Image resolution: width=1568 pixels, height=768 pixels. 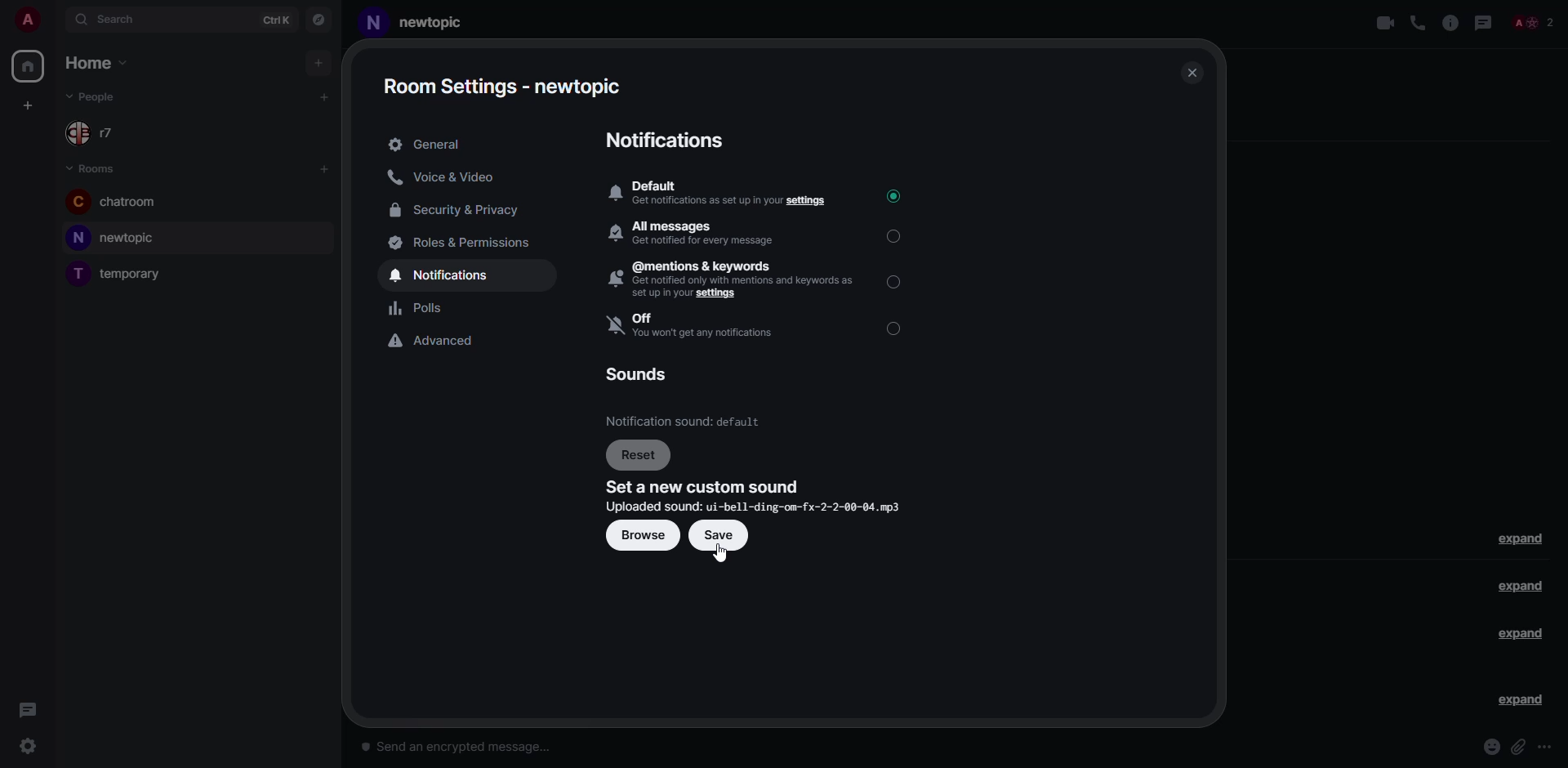 What do you see at coordinates (719, 194) in the screenshot?
I see `default` at bounding box center [719, 194].